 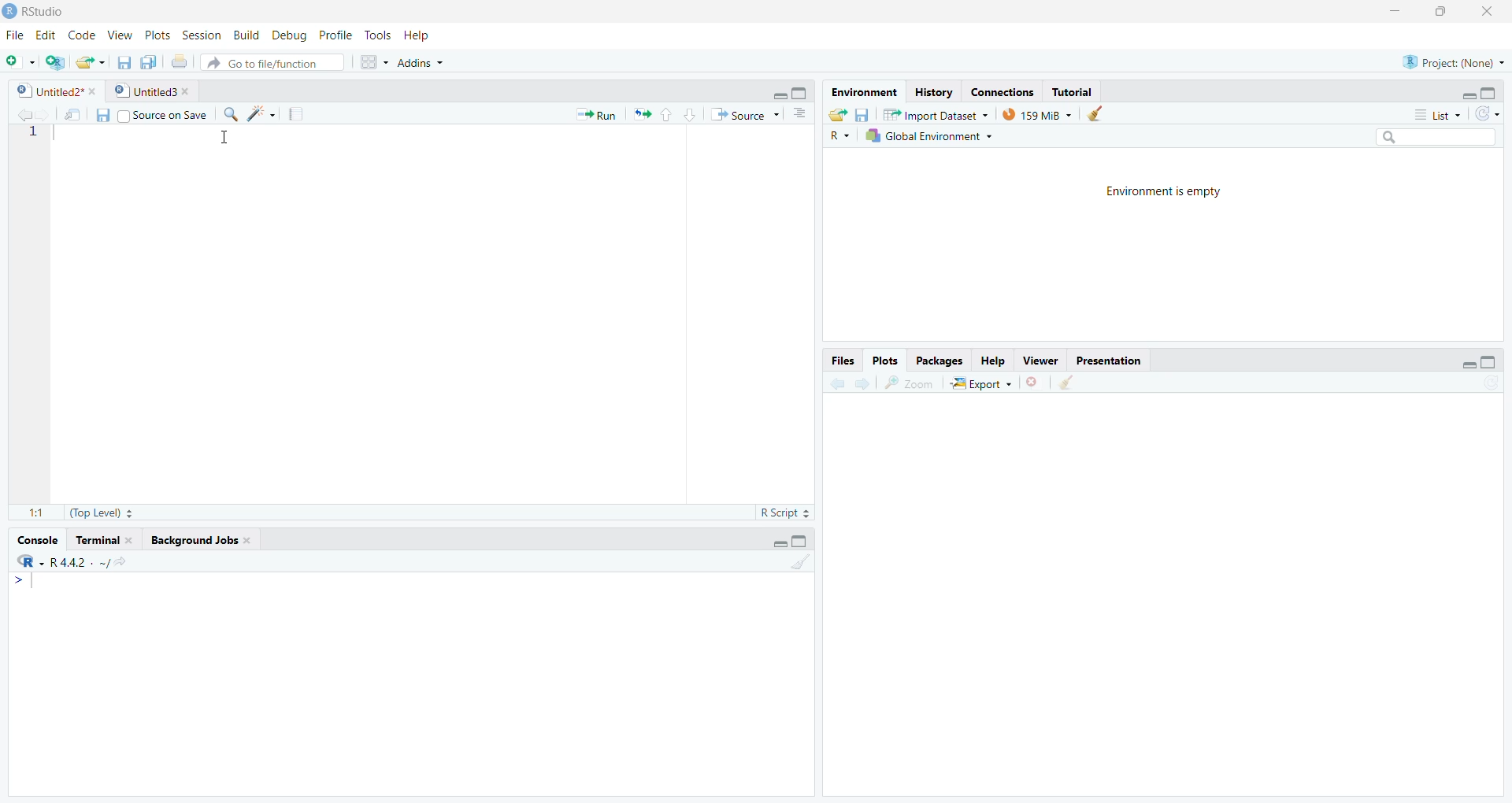 I want to click on Terminal, so click(x=104, y=540).